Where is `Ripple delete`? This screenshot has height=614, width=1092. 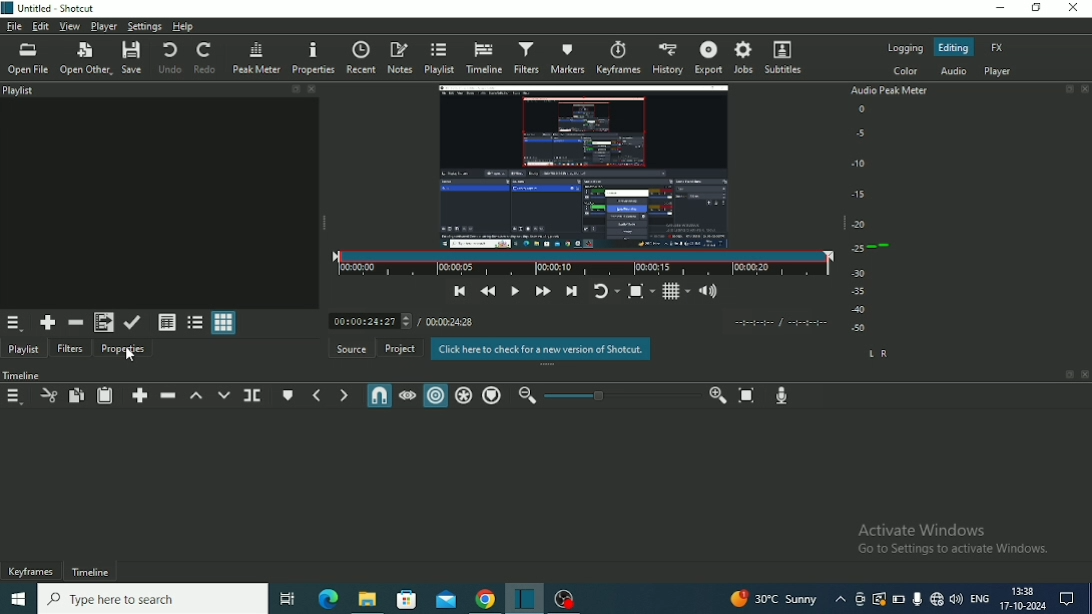 Ripple delete is located at coordinates (167, 395).